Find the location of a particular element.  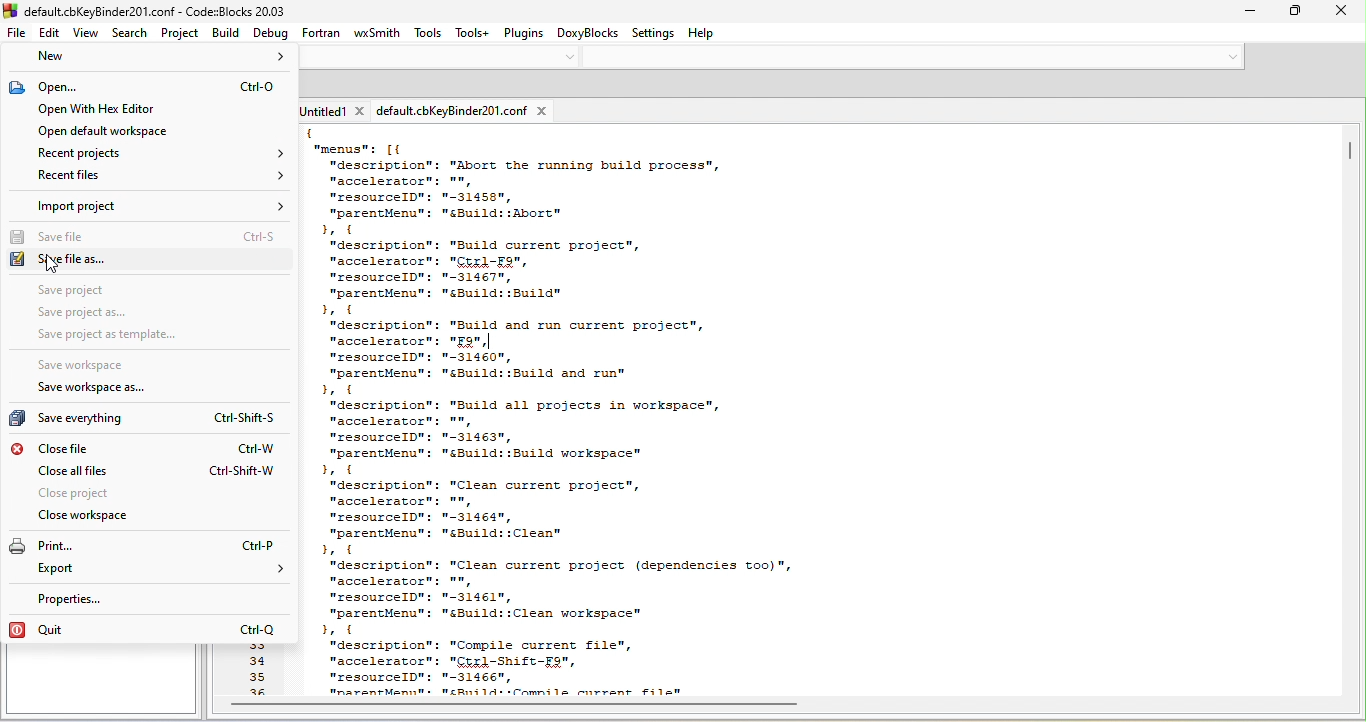

wxsmith is located at coordinates (378, 32).